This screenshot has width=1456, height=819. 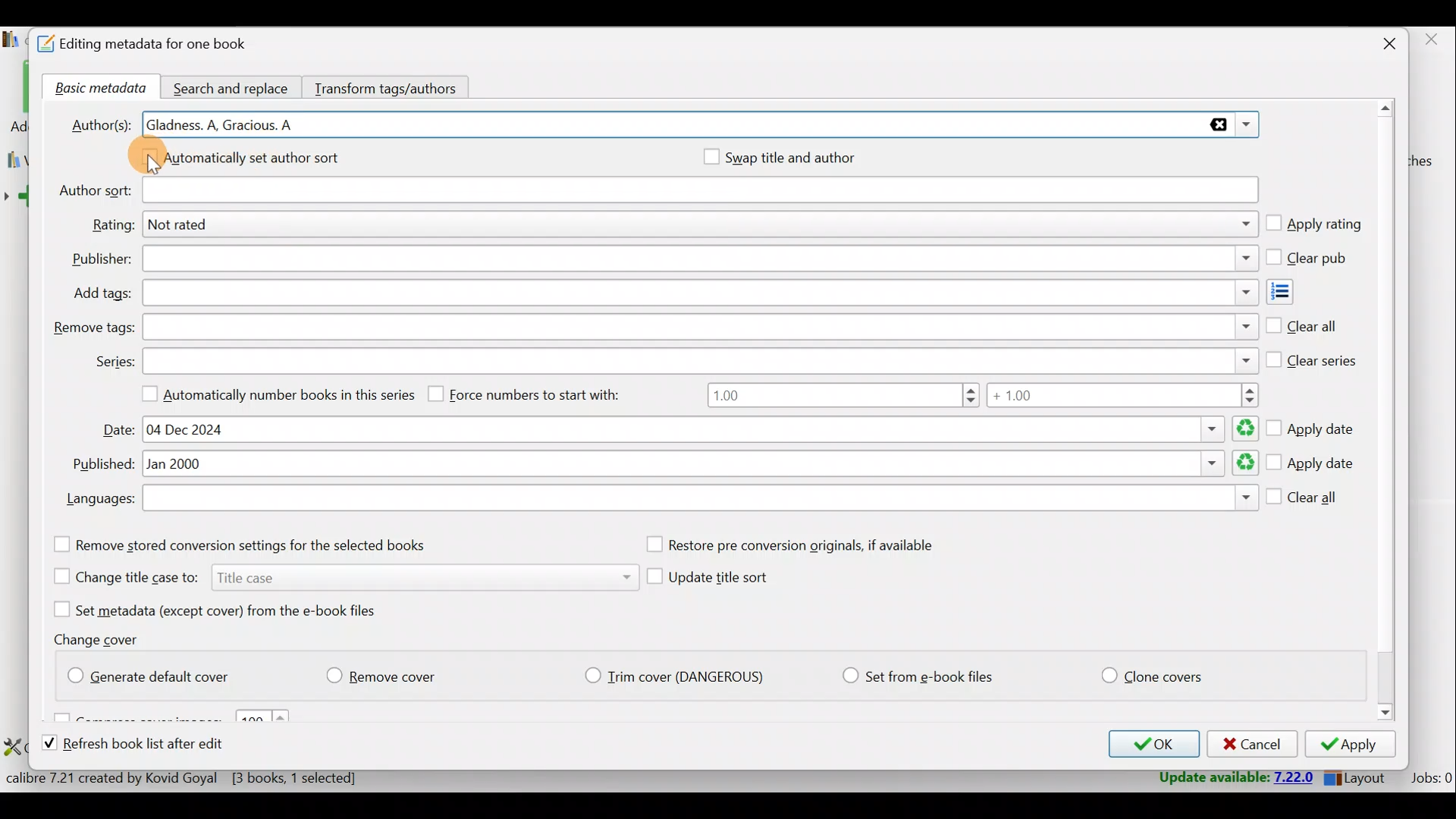 I want to click on Apply, so click(x=1355, y=746).